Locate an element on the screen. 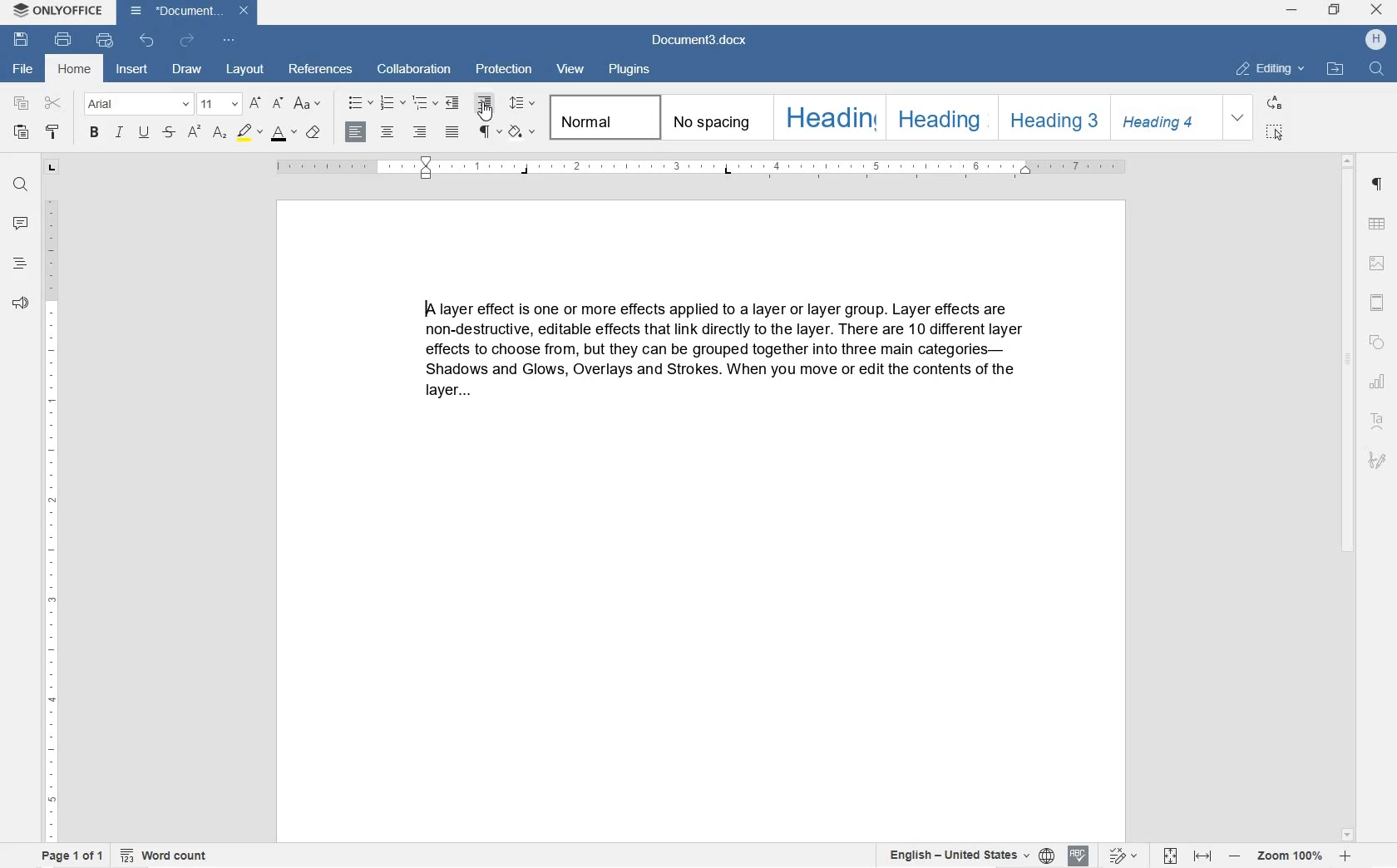 The image size is (1397, 868). SPELL CHECK is located at coordinates (1080, 855).